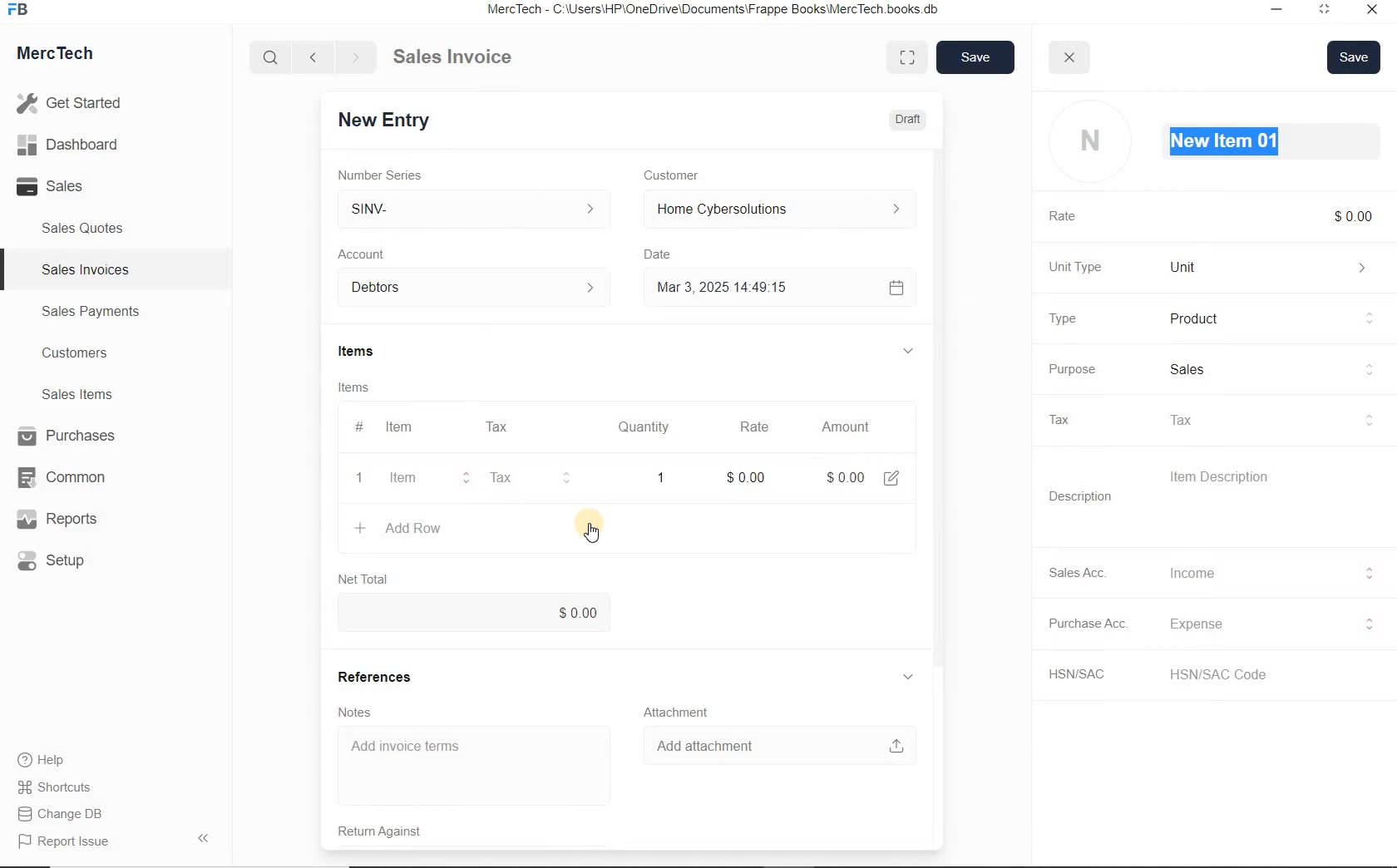  Describe the element at coordinates (1272, 267) in the screenshot. I see `Unit` at that location.